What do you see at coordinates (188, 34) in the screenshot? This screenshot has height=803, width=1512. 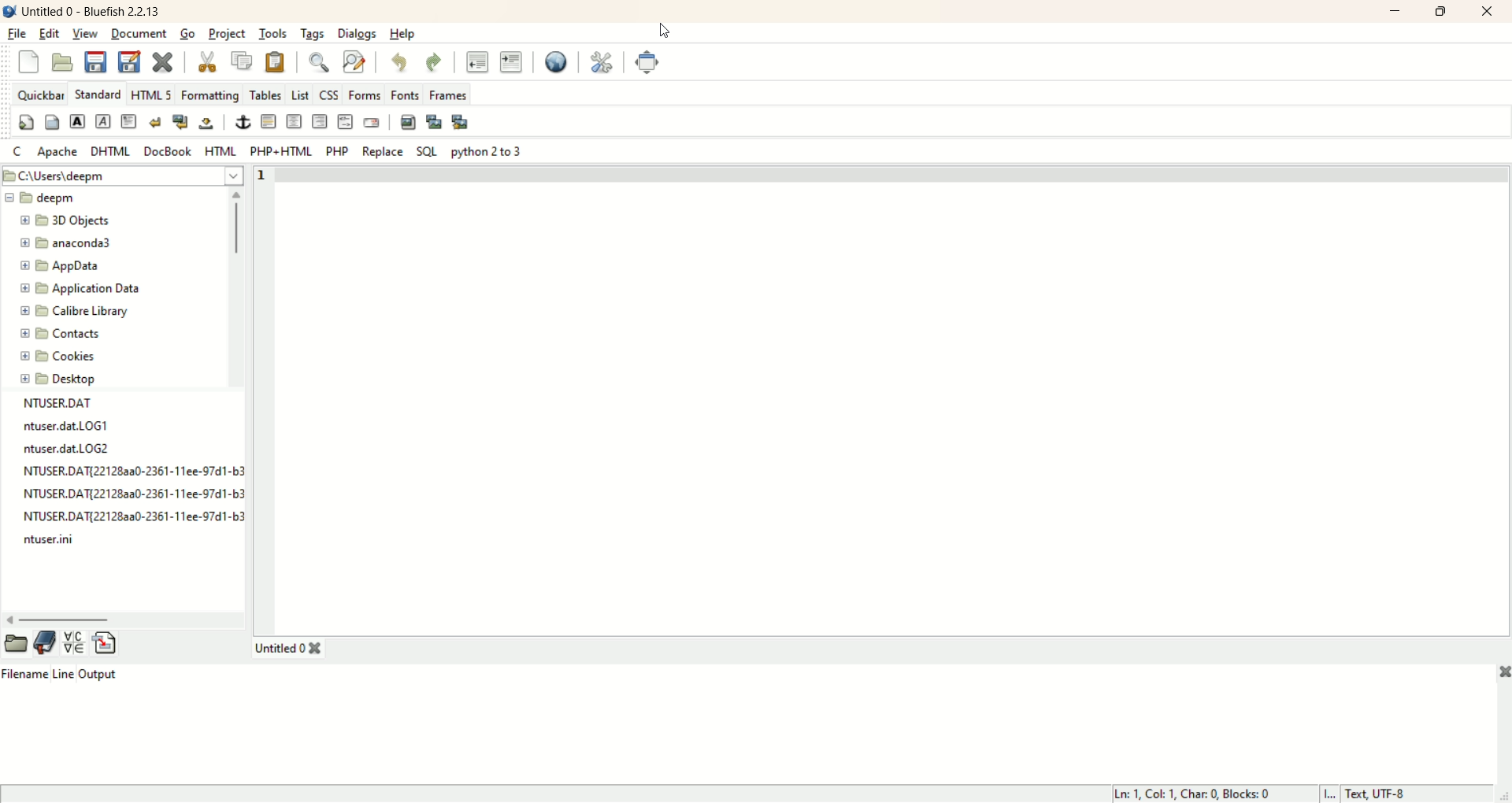 I see `go` at bounding box center [188, 34].